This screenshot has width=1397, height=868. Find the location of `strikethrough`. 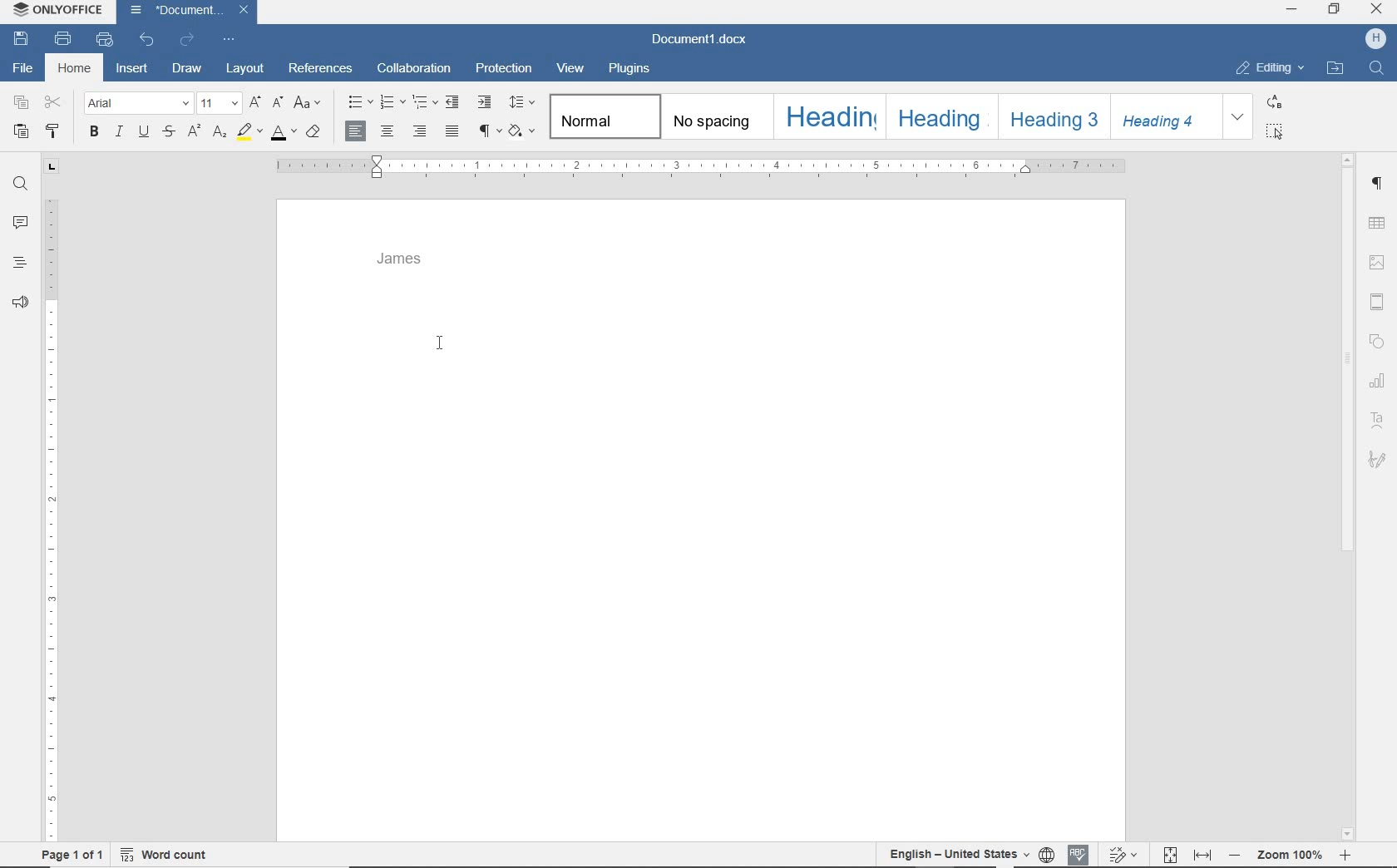

strikethrough is located at coordinates (170, 133).